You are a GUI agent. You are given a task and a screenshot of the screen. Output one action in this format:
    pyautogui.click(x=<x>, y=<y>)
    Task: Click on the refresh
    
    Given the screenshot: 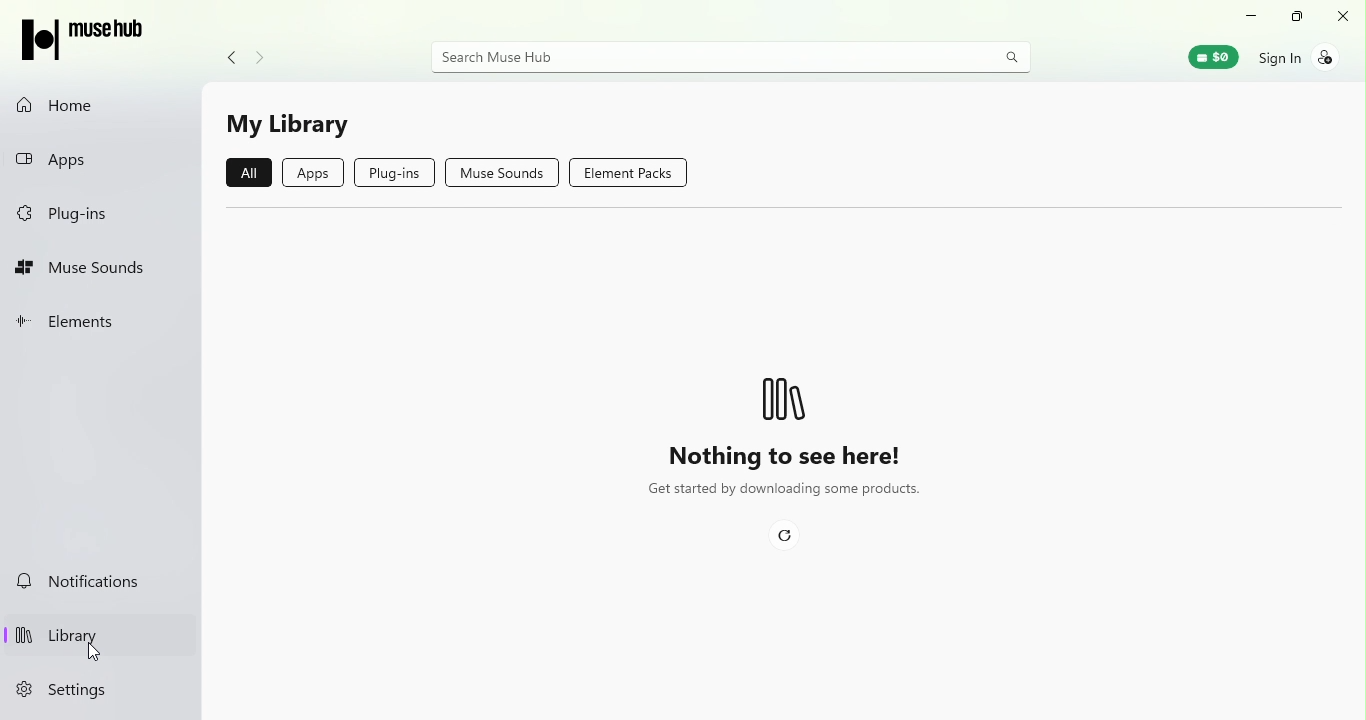 What is the action you would take?
    pyautogui.click(x=794, y=539)
    